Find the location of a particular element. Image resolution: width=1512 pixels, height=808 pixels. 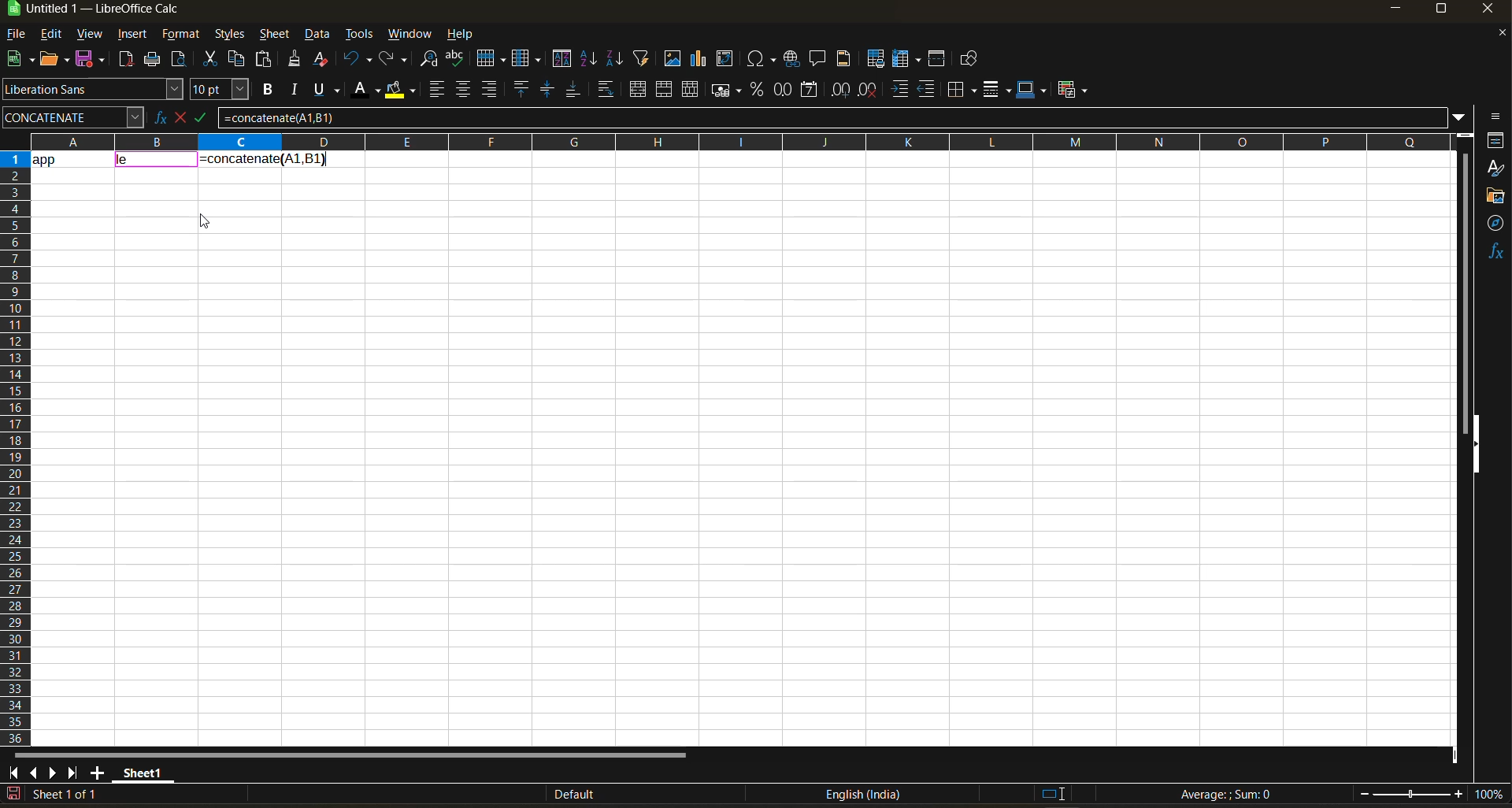

delete decimal place is located at coordinates (869, 90).